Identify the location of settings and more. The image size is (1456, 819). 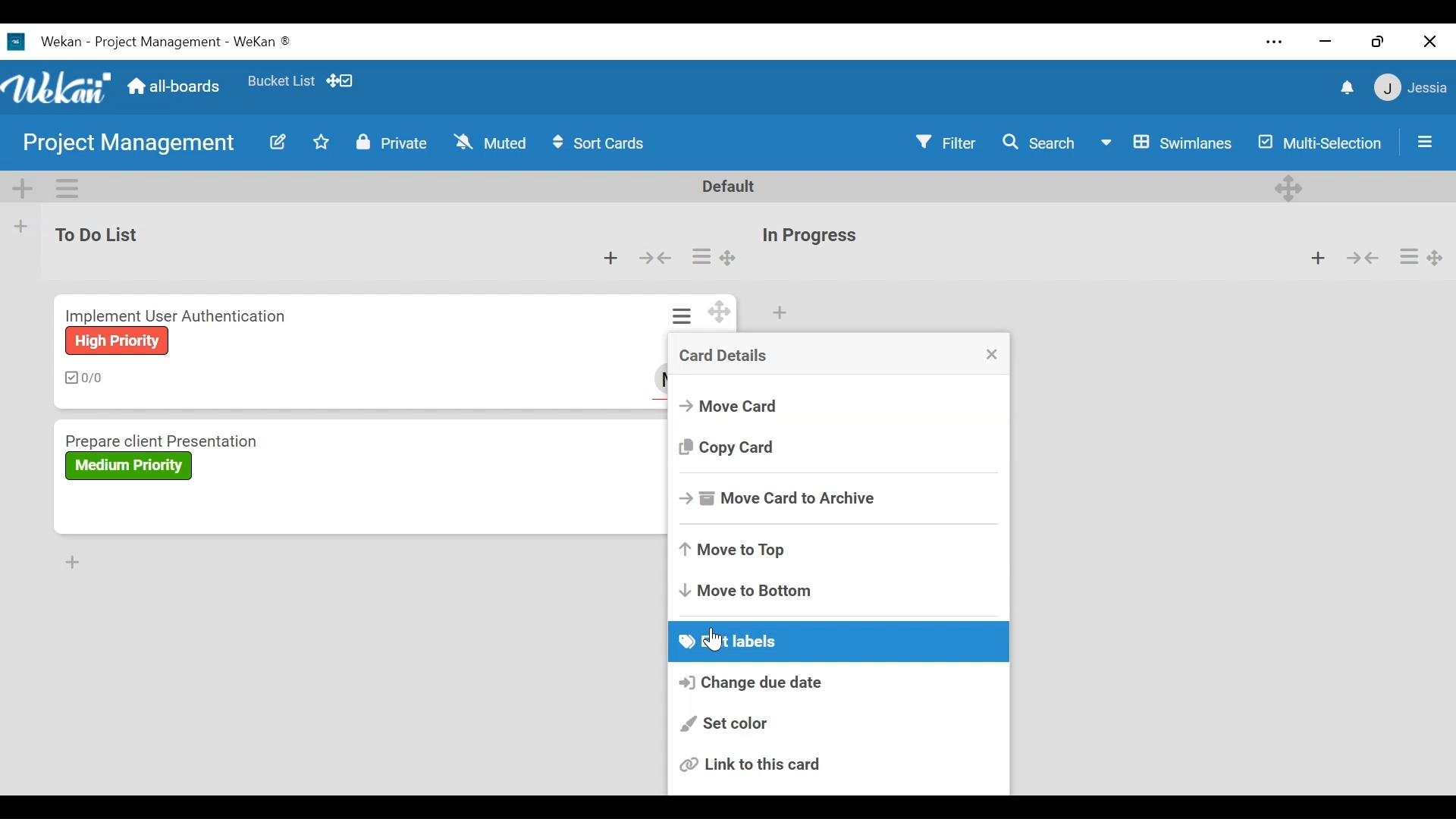
(1273, 42).